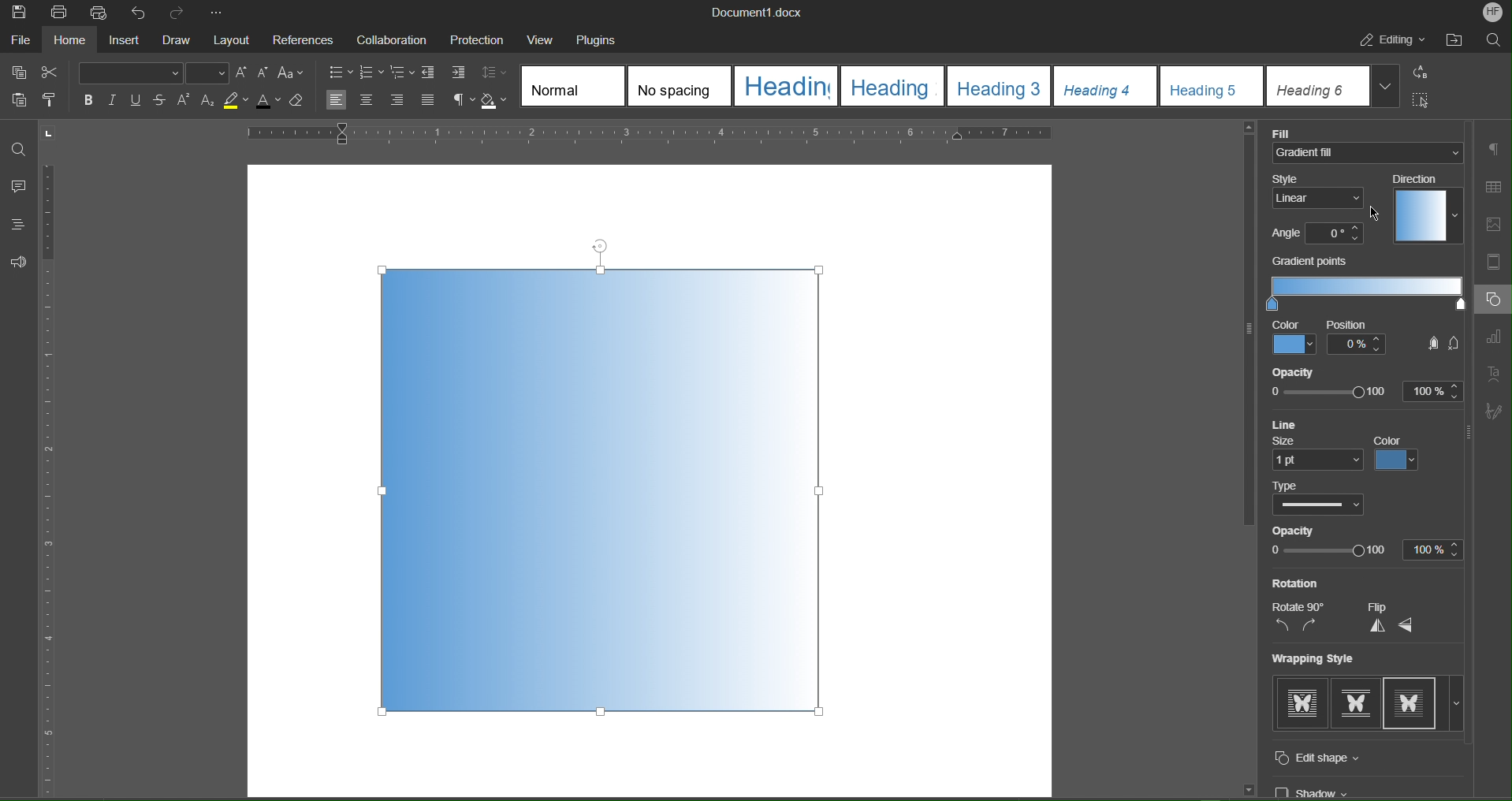 Image resolution: width=1512 pixels, height=801 pixels. What do you see at coordinates (114, 100) in the screenshot?
I see `Italics` at bounding box center [114, 100].